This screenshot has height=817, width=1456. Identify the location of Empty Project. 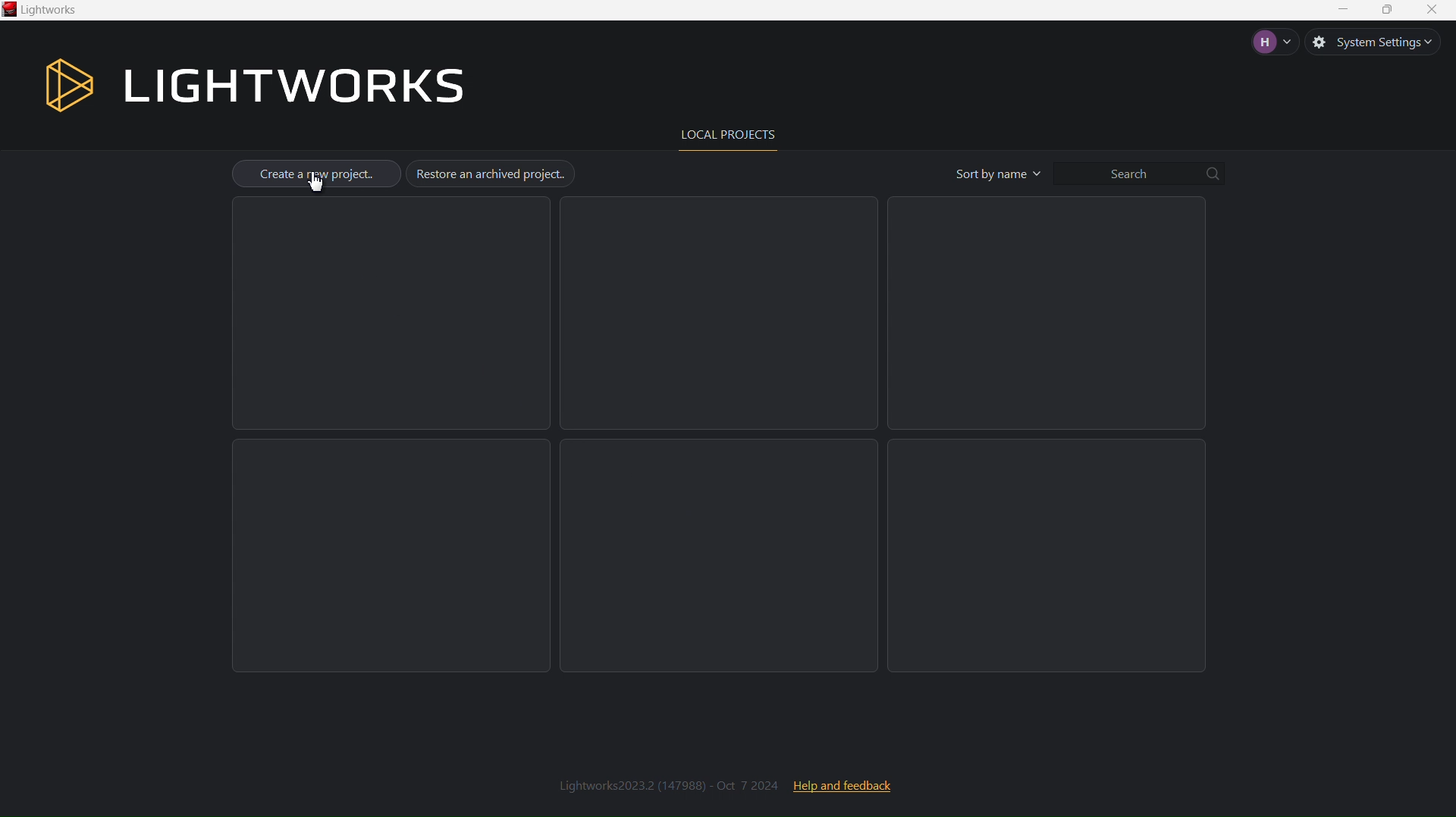
(391, 557).